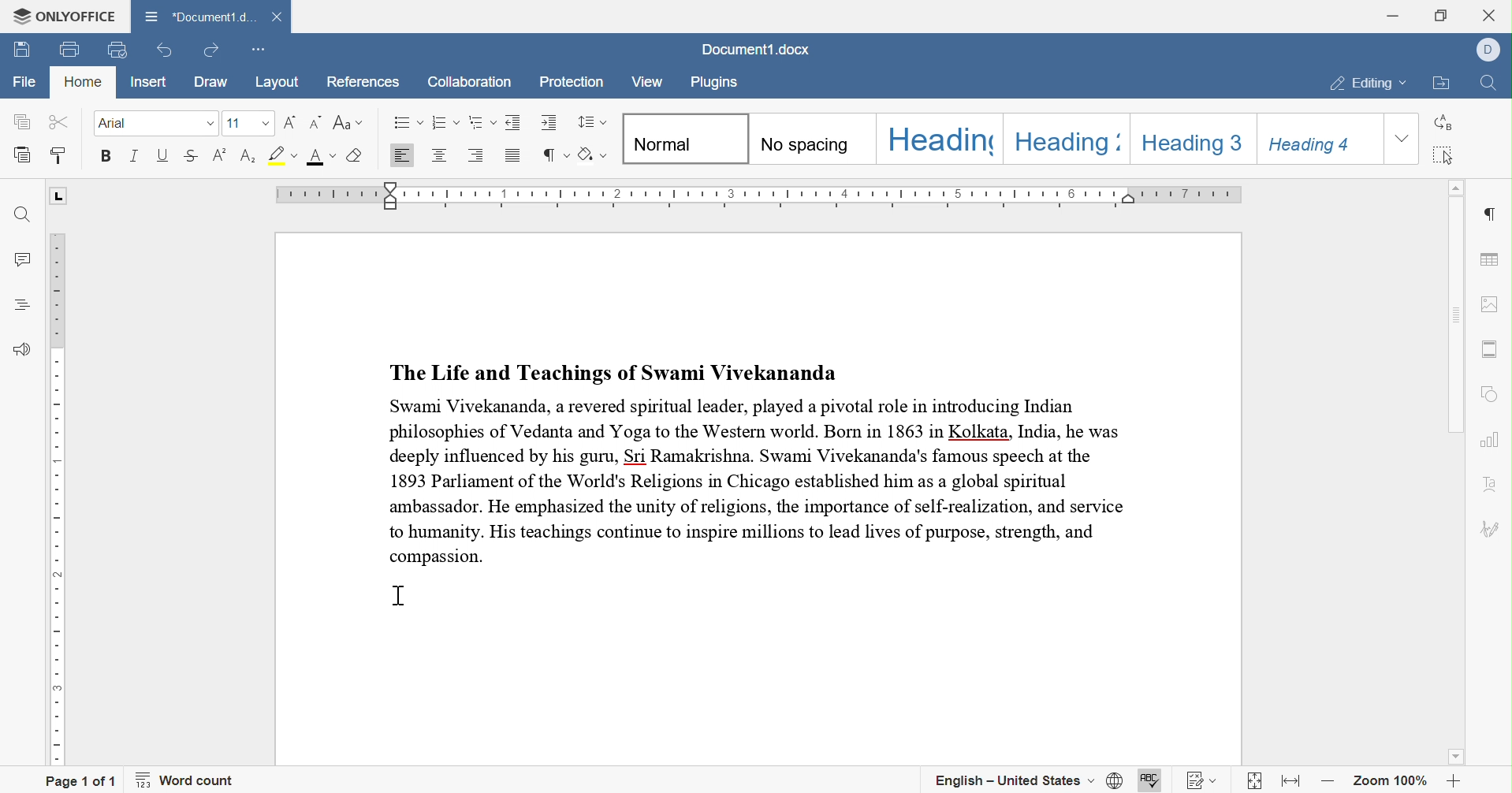 This screenshot has width=1512, height=793. Describe the element at coordinates (278, 17) in the screenshot. I see `close` at that location.